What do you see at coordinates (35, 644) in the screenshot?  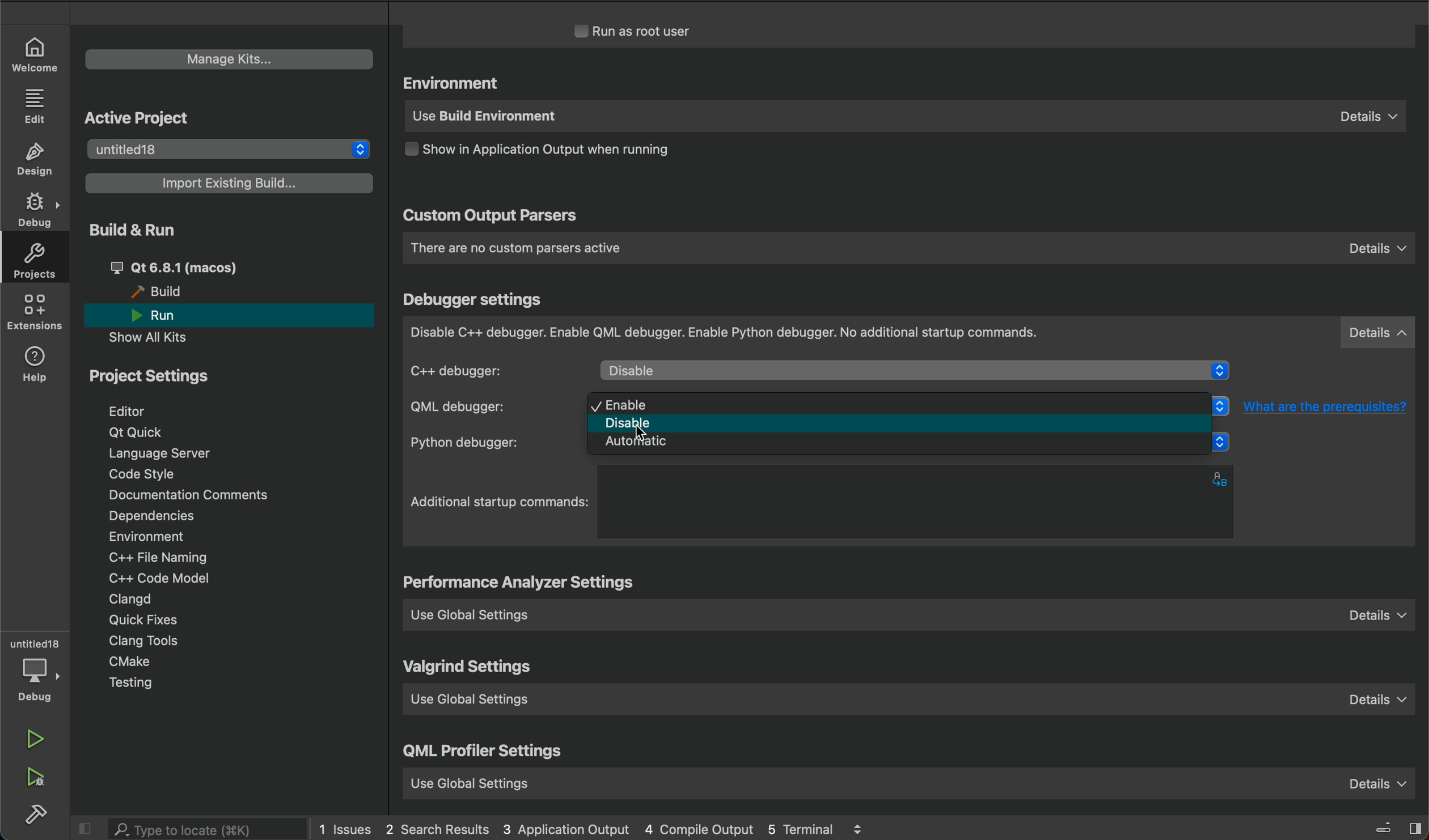 I see `untitled` at bounding box center [35, 644].